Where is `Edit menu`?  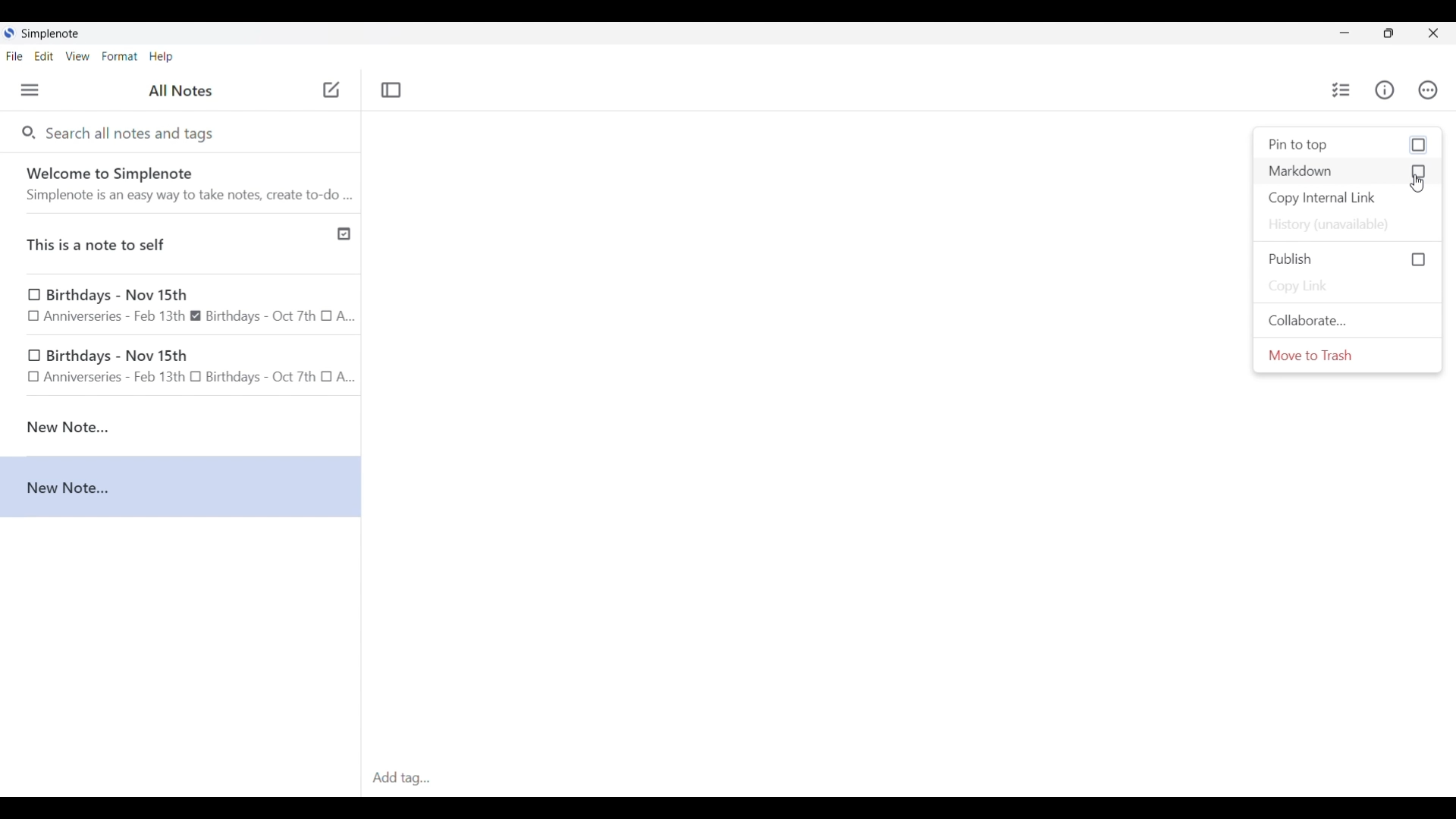 Edit menu is located at coordinates (45, 55).